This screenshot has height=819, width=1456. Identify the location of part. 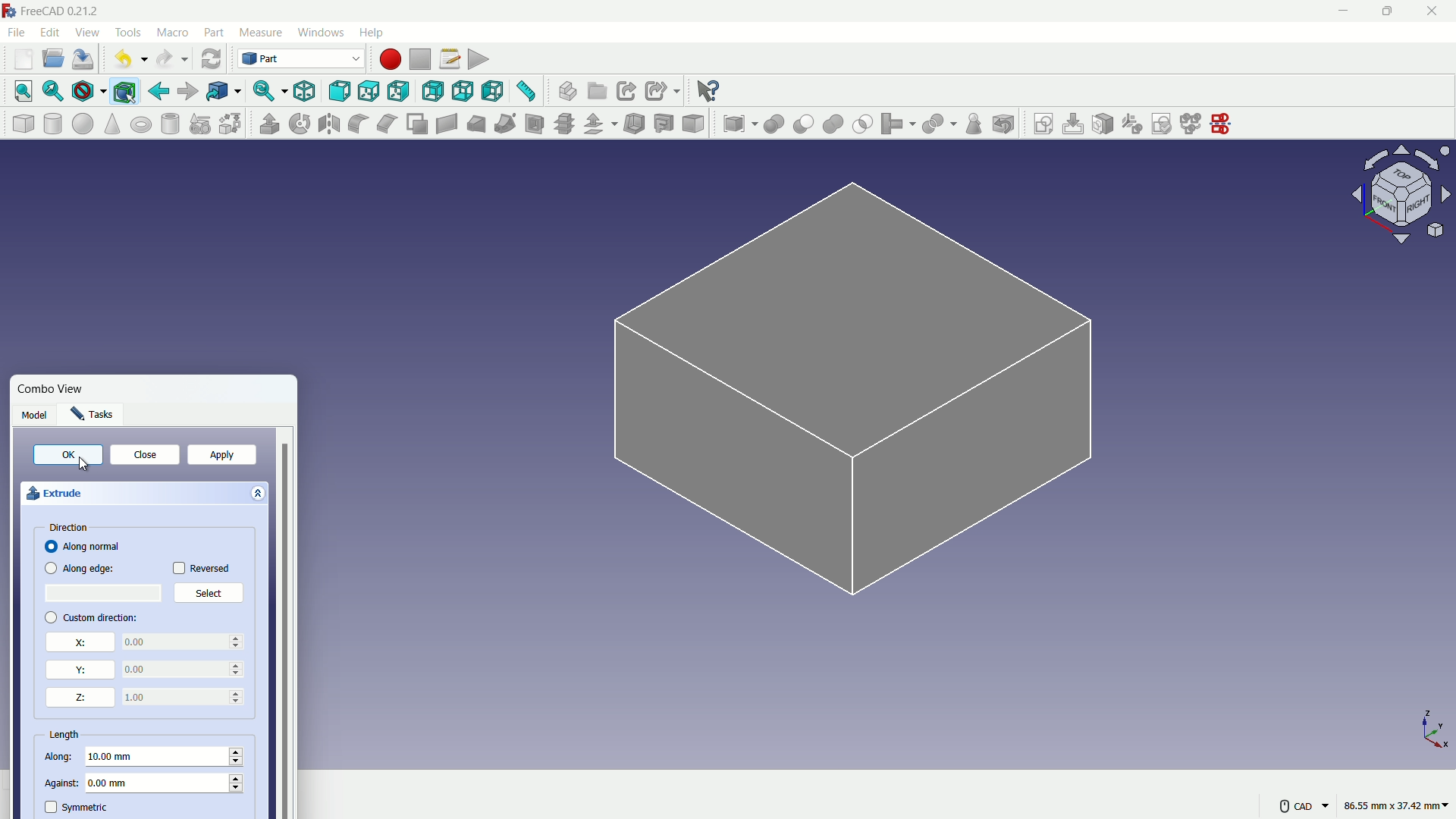
(214, 32).